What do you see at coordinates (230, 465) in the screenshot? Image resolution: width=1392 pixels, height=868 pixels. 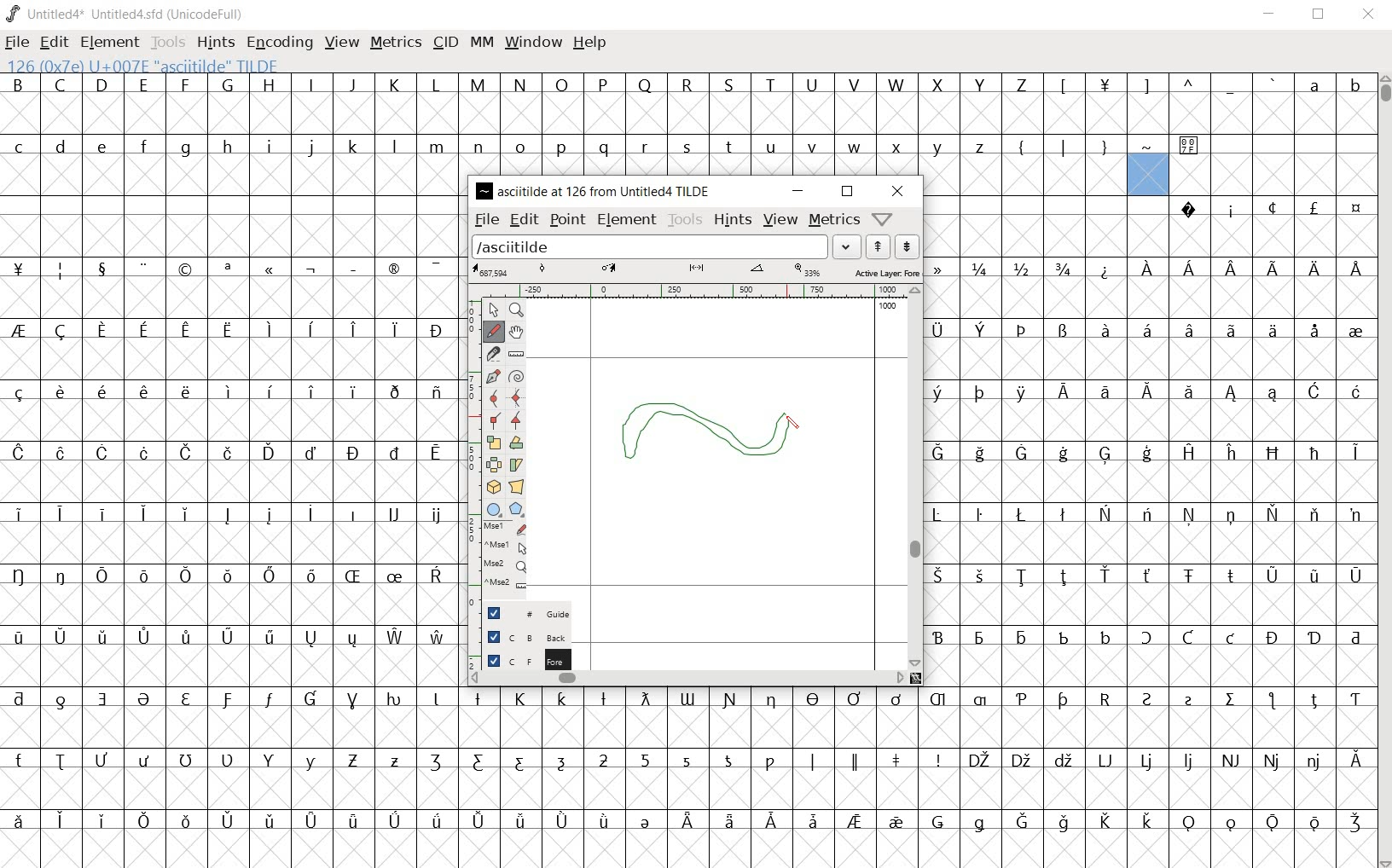 I see `glyph characters` at bounding box center [230, 465].